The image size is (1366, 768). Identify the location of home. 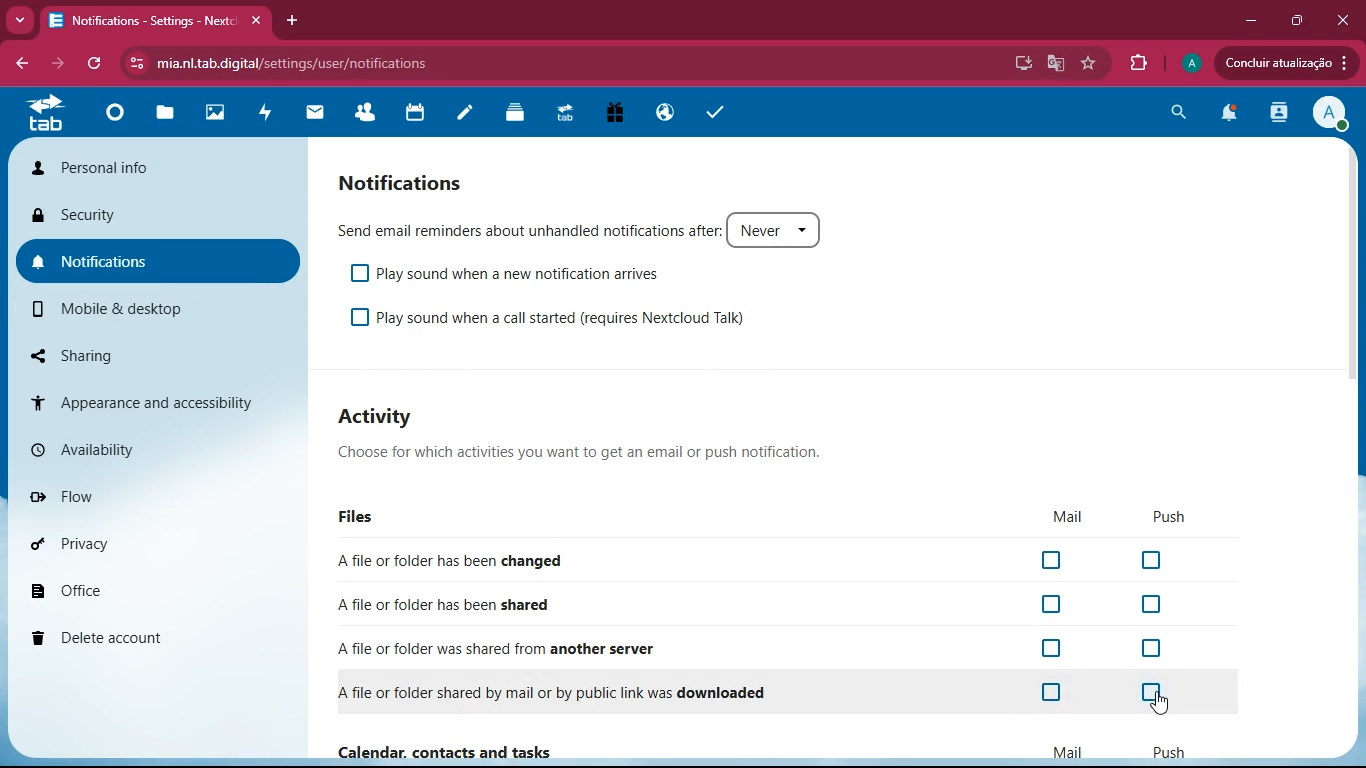
(110, 117).